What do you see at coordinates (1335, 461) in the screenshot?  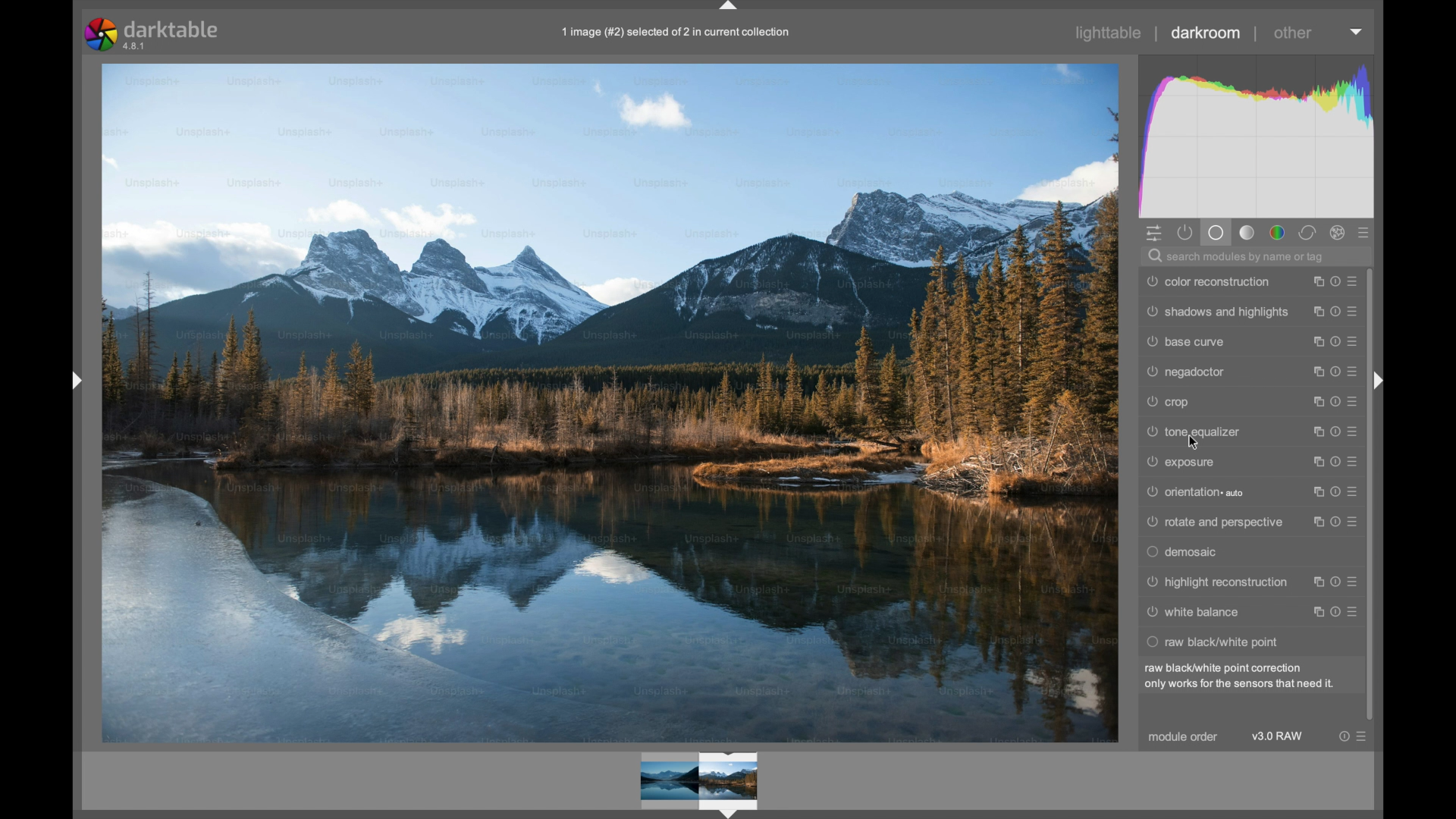 I see `reset parameters` at bounding box center [1335, 461].